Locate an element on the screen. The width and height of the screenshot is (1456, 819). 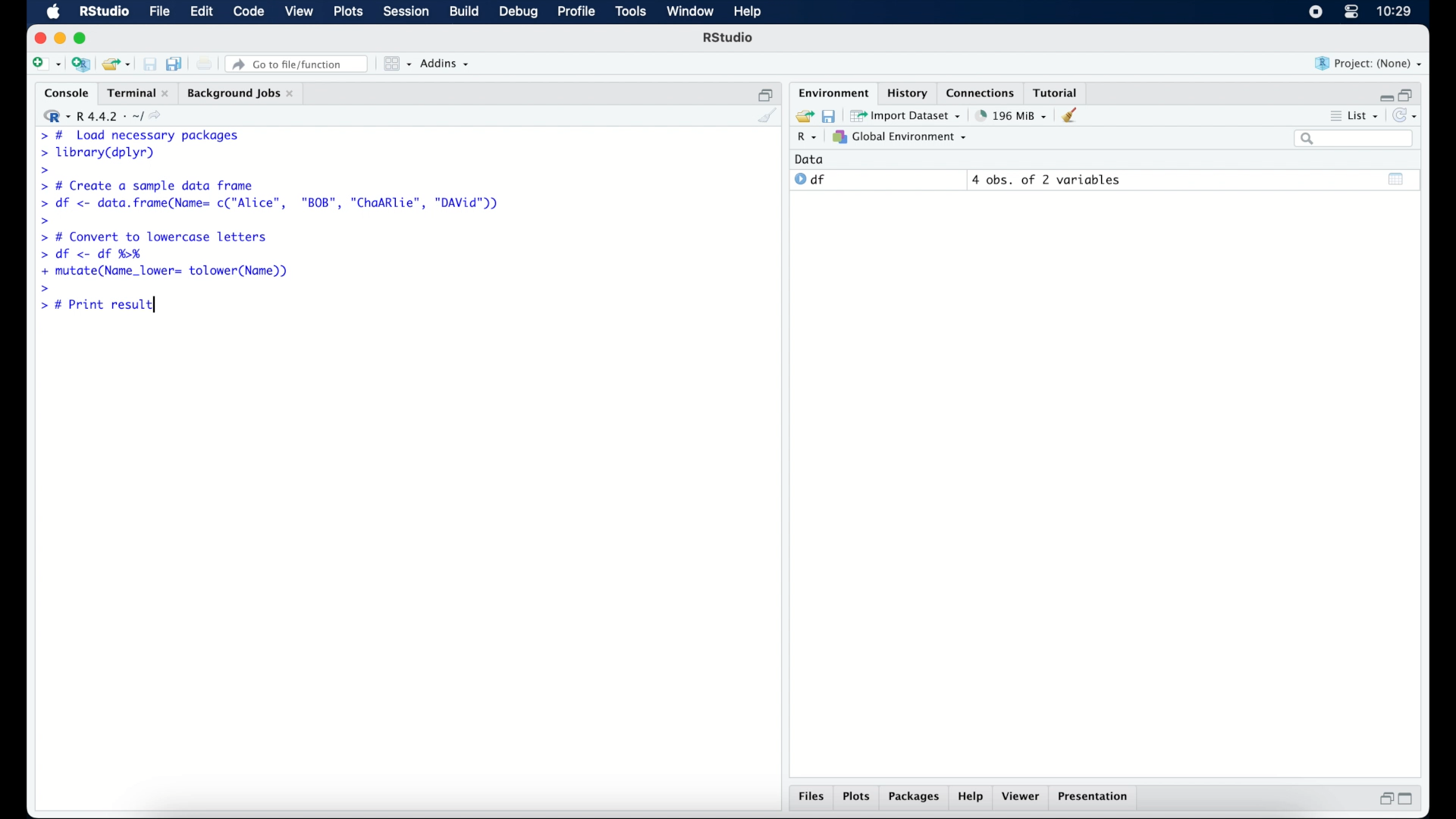
edit is located at coordinates (200, 12).